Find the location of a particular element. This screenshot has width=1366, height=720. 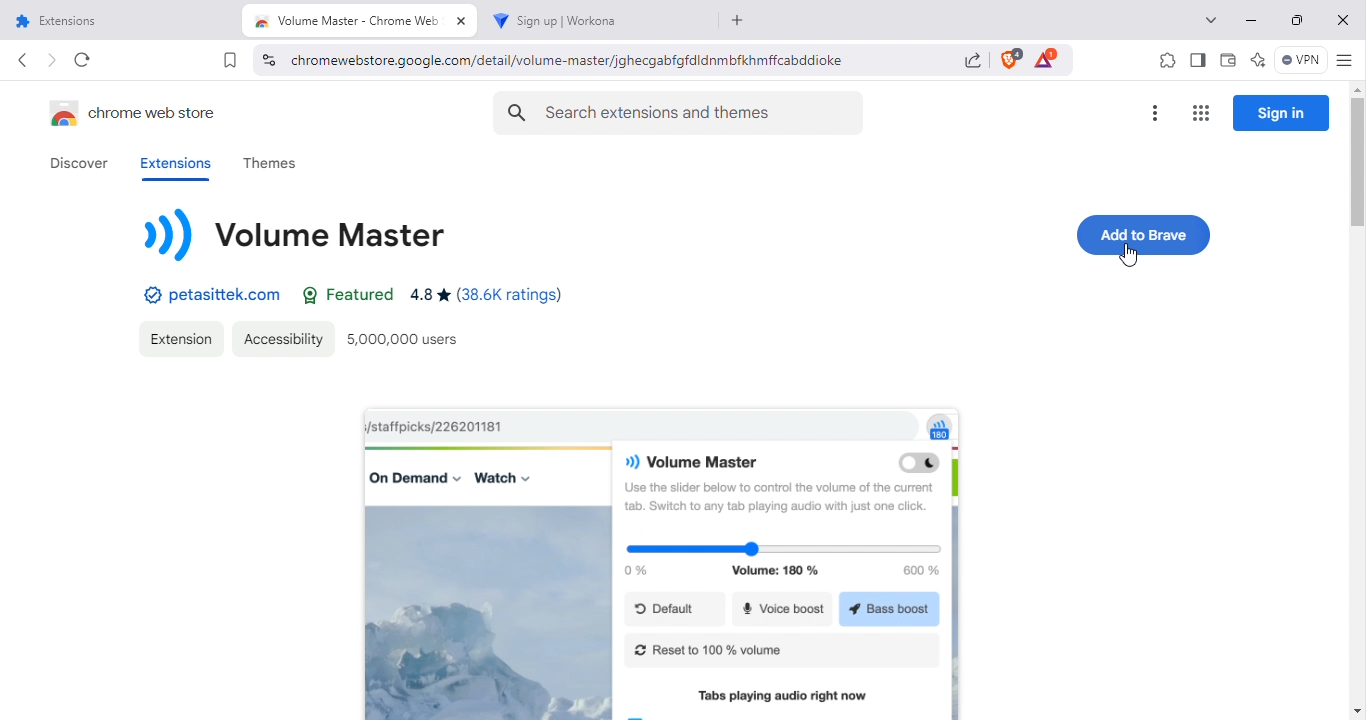

Accessibility is located at coordinates (283, 338).